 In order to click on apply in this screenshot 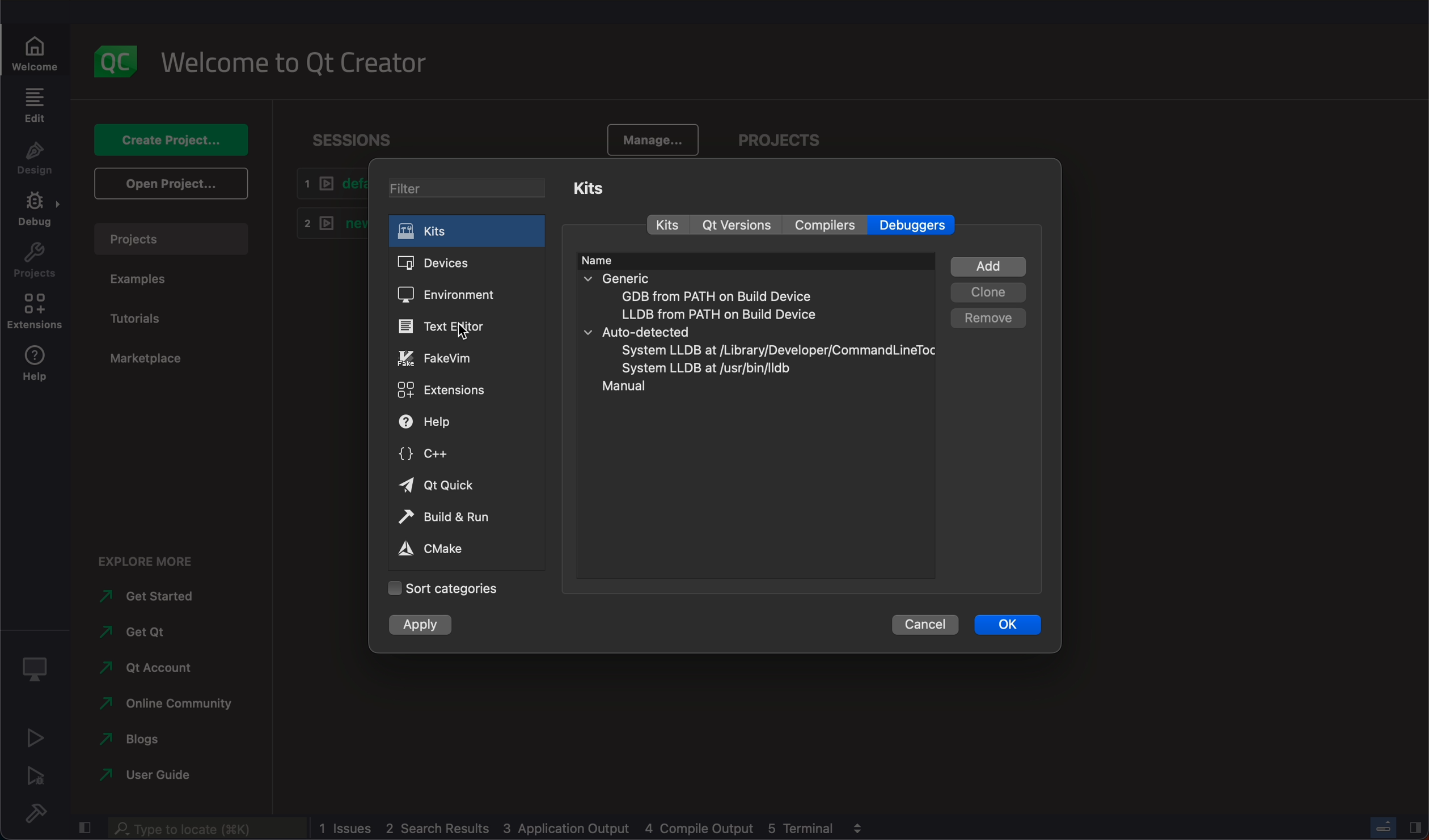, I will do `click(418, 626)`.